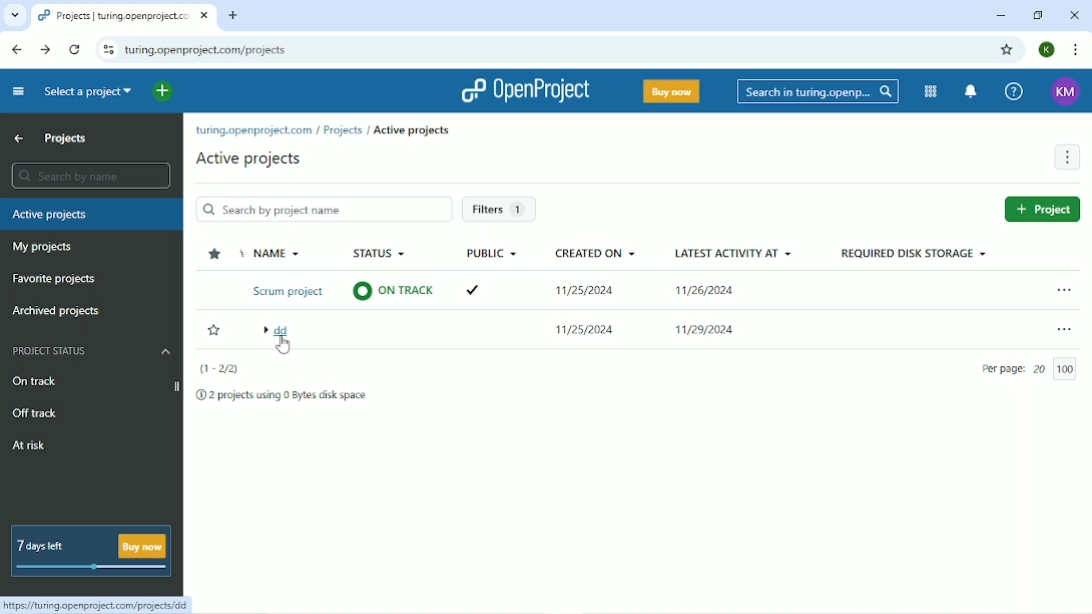 The image size is (1092, 614). I want to click on Search, so click(819, 91).